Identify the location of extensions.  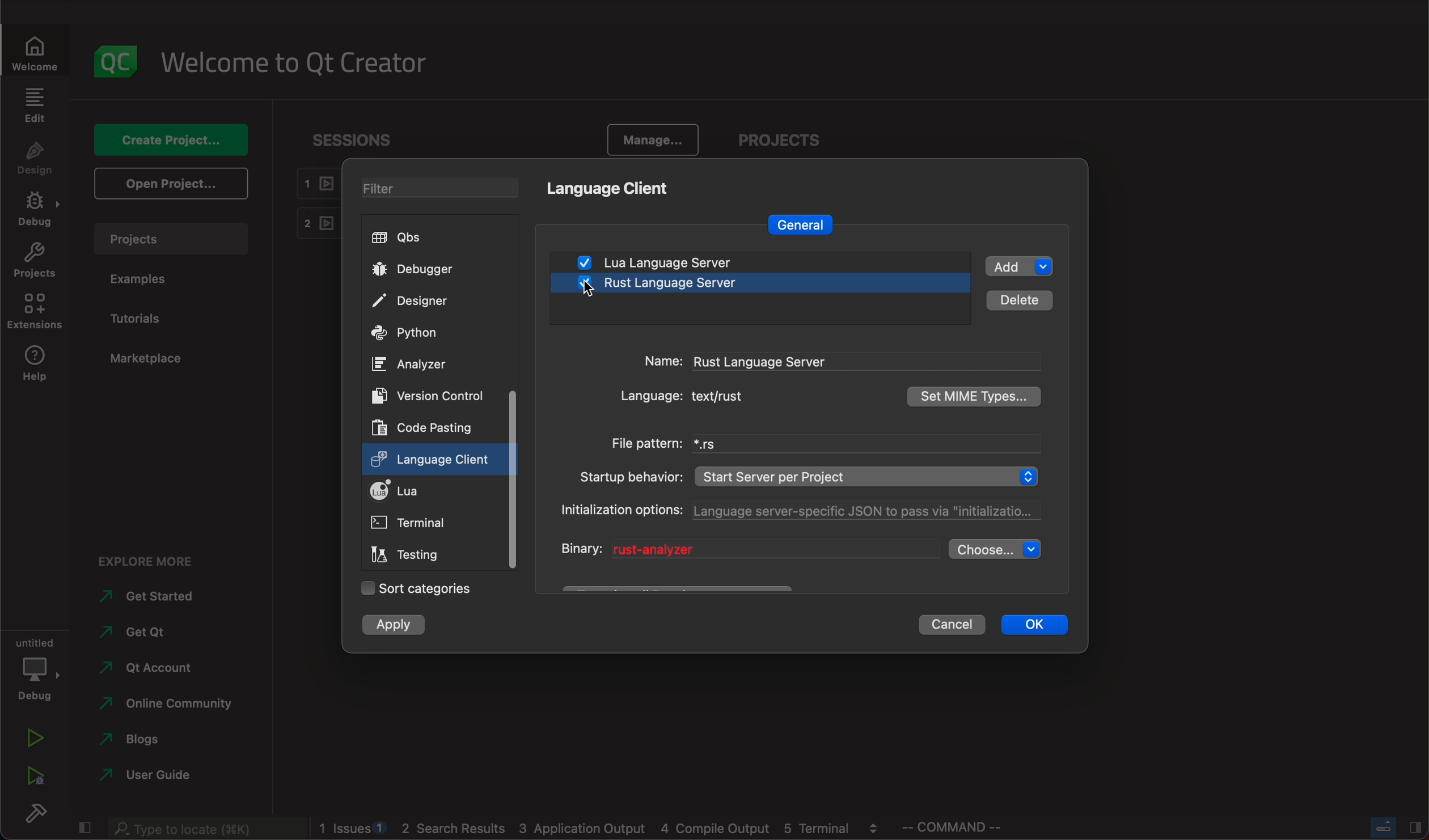
(35, 312).